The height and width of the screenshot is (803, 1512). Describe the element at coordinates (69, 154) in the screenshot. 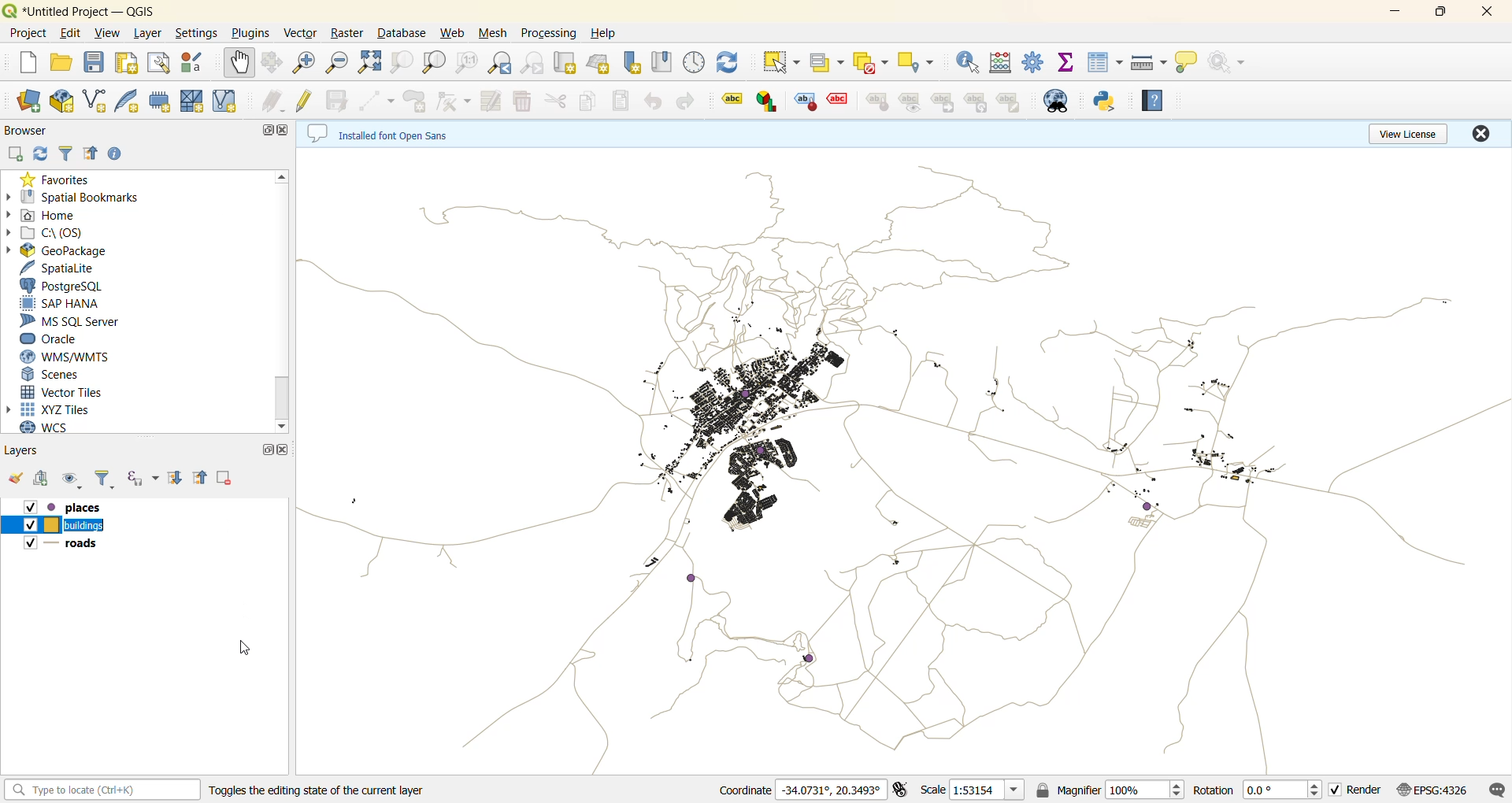

I see `filter` at that location.